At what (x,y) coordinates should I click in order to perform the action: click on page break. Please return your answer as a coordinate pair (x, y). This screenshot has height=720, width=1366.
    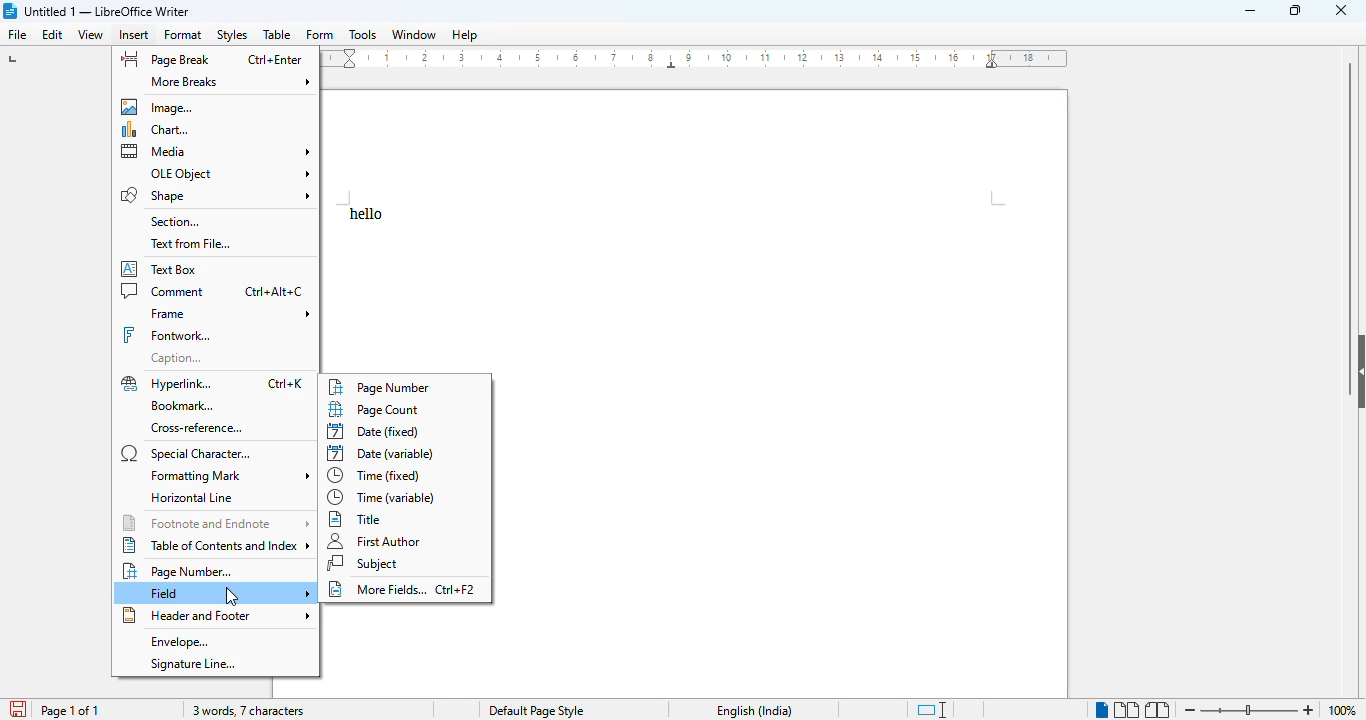
    Looking at the image, I should click on (165, 59).